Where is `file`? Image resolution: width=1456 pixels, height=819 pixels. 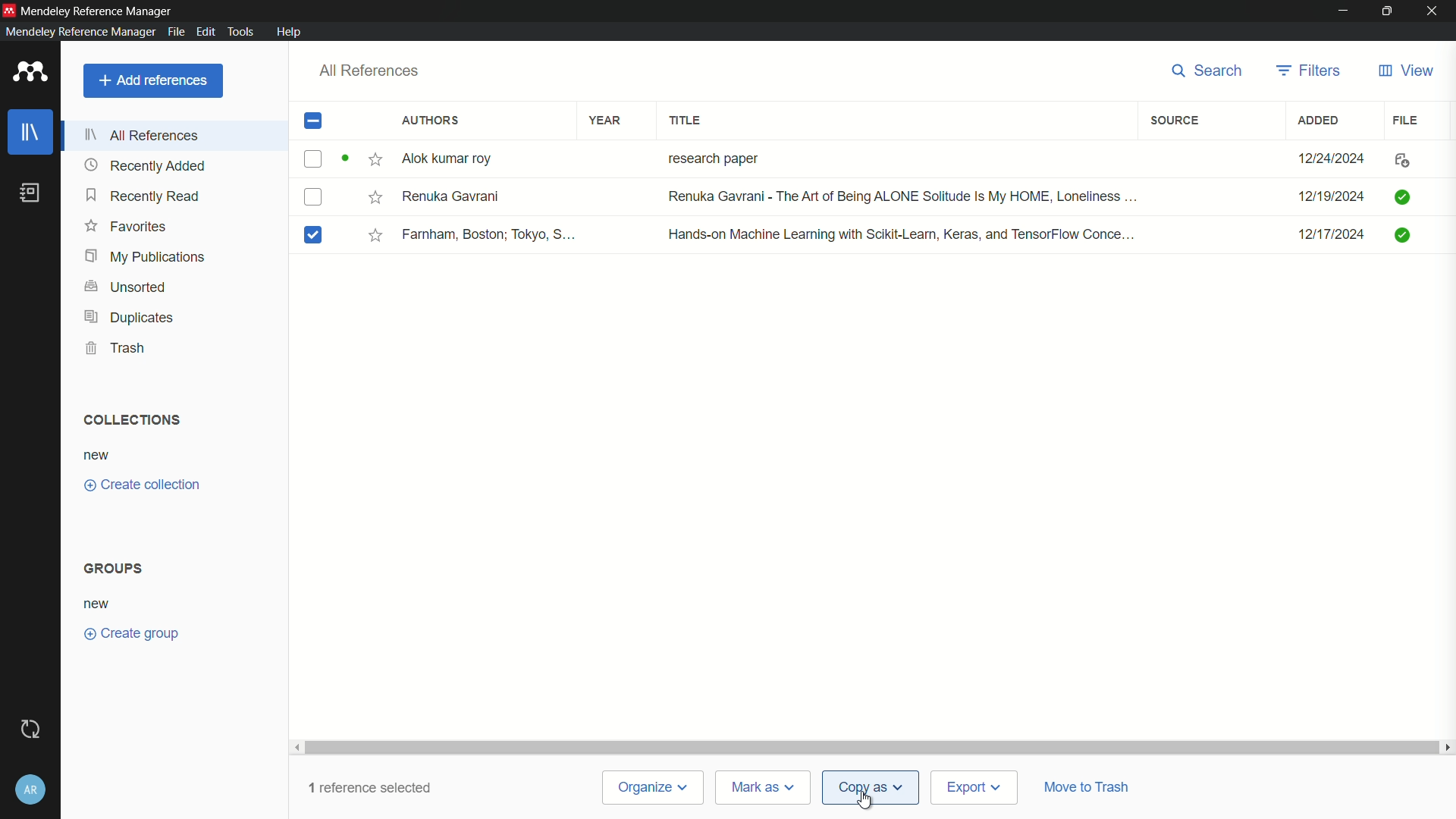
file is located at coordinates (1407, 120).